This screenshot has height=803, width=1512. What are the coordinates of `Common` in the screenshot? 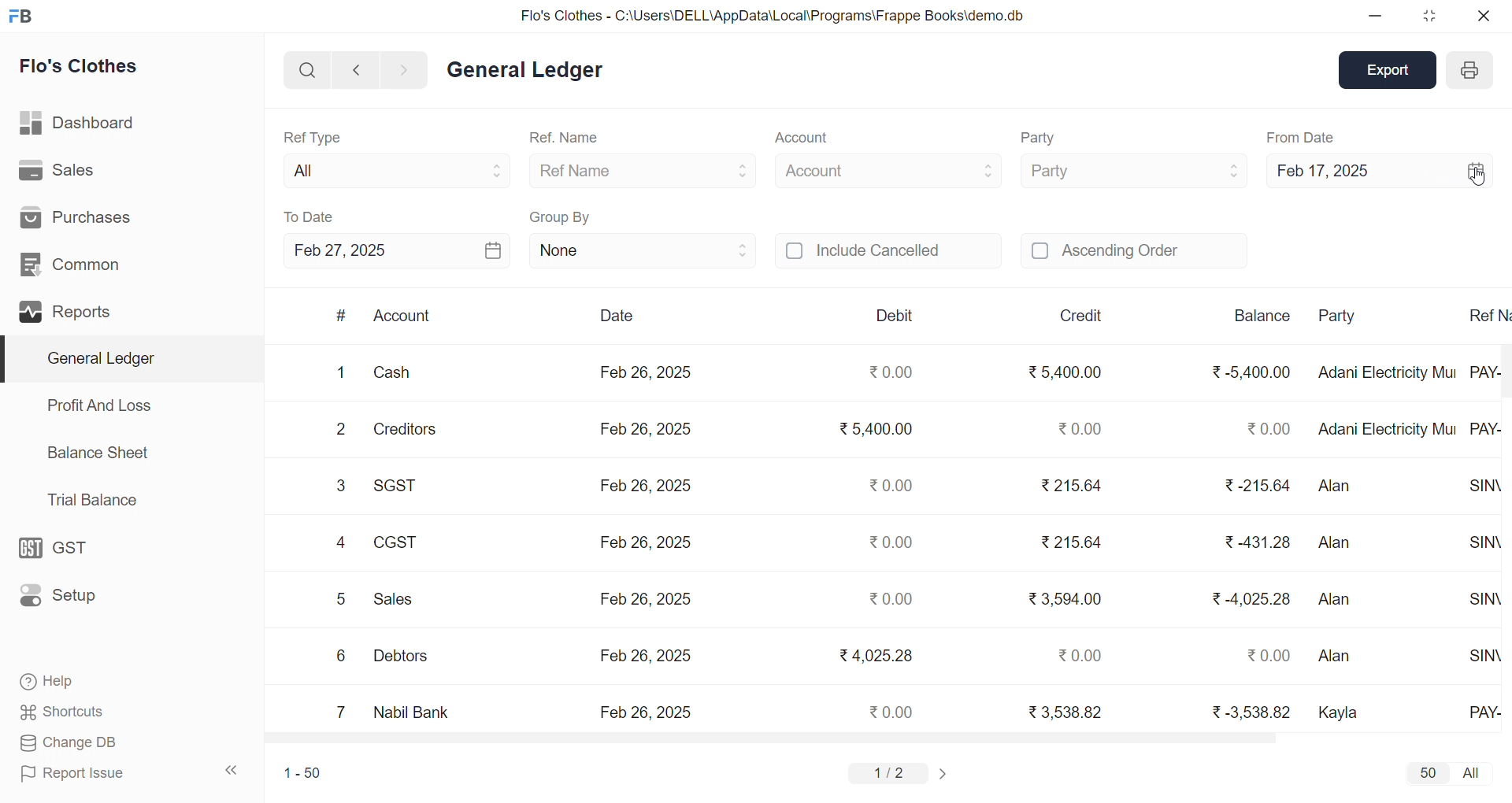 It's located at (71, 262).